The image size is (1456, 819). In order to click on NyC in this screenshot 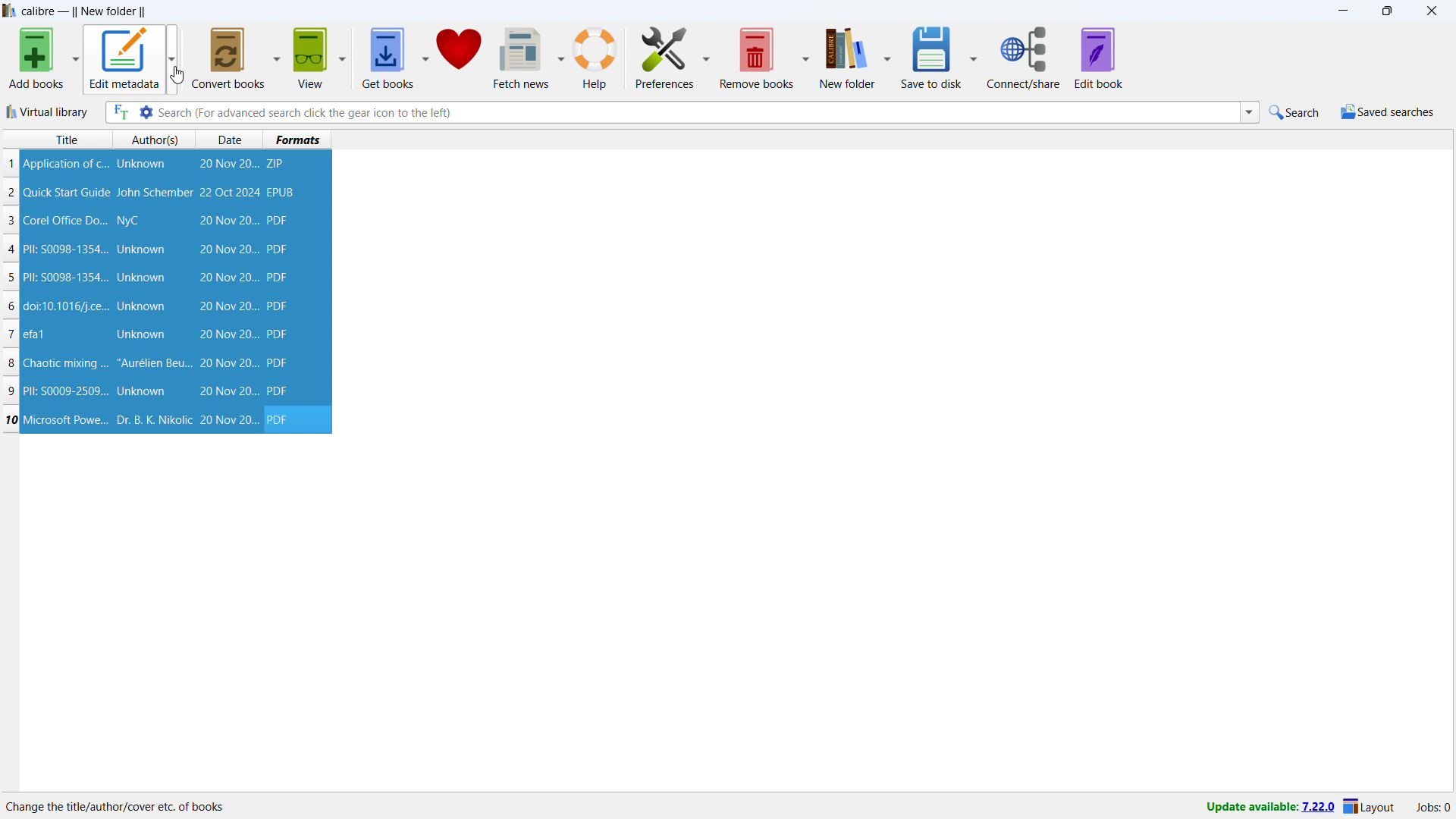, I will do `click(128, 221)`.